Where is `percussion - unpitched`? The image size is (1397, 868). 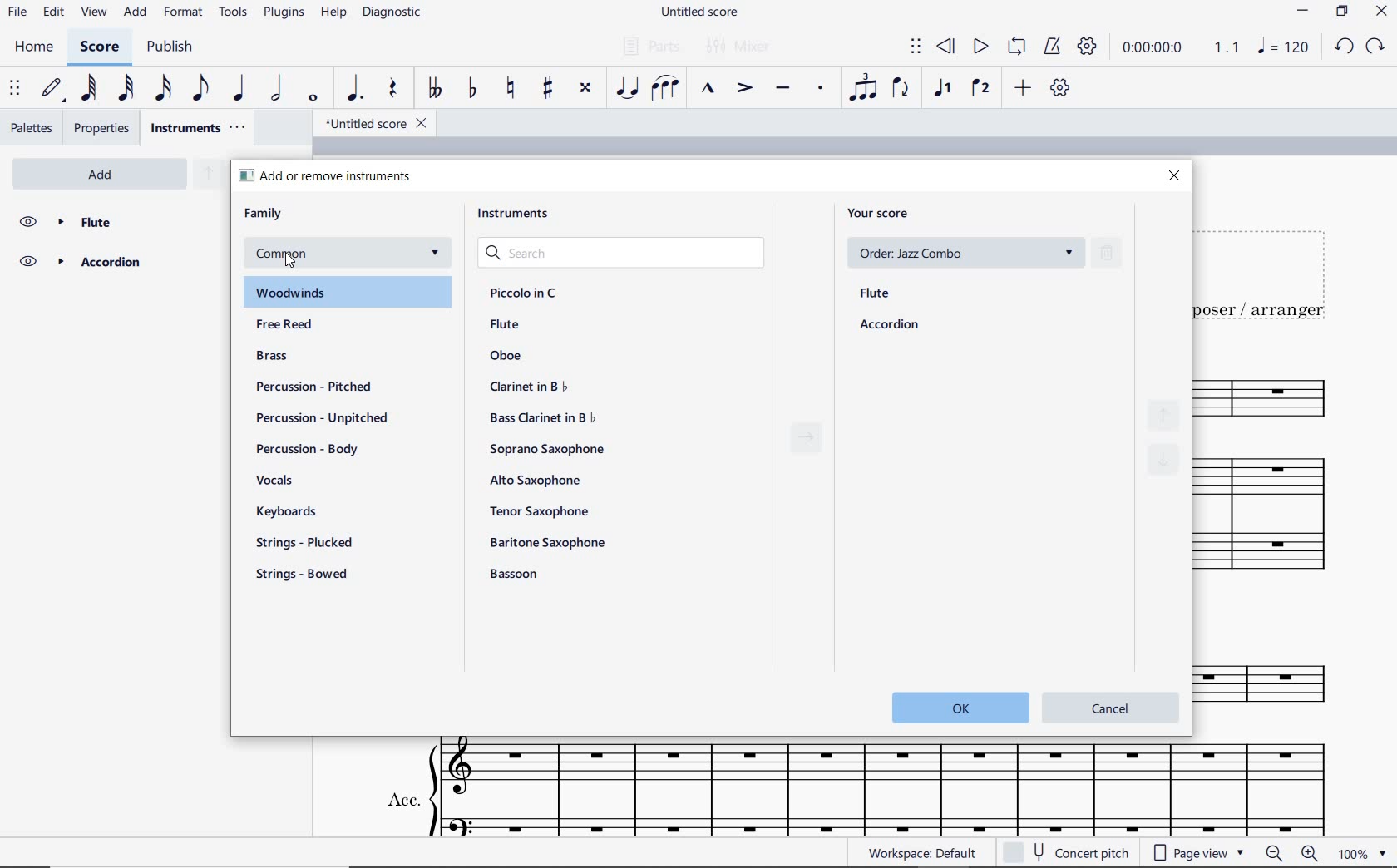
percussion - unpitched is located at coordinates (322, 421).